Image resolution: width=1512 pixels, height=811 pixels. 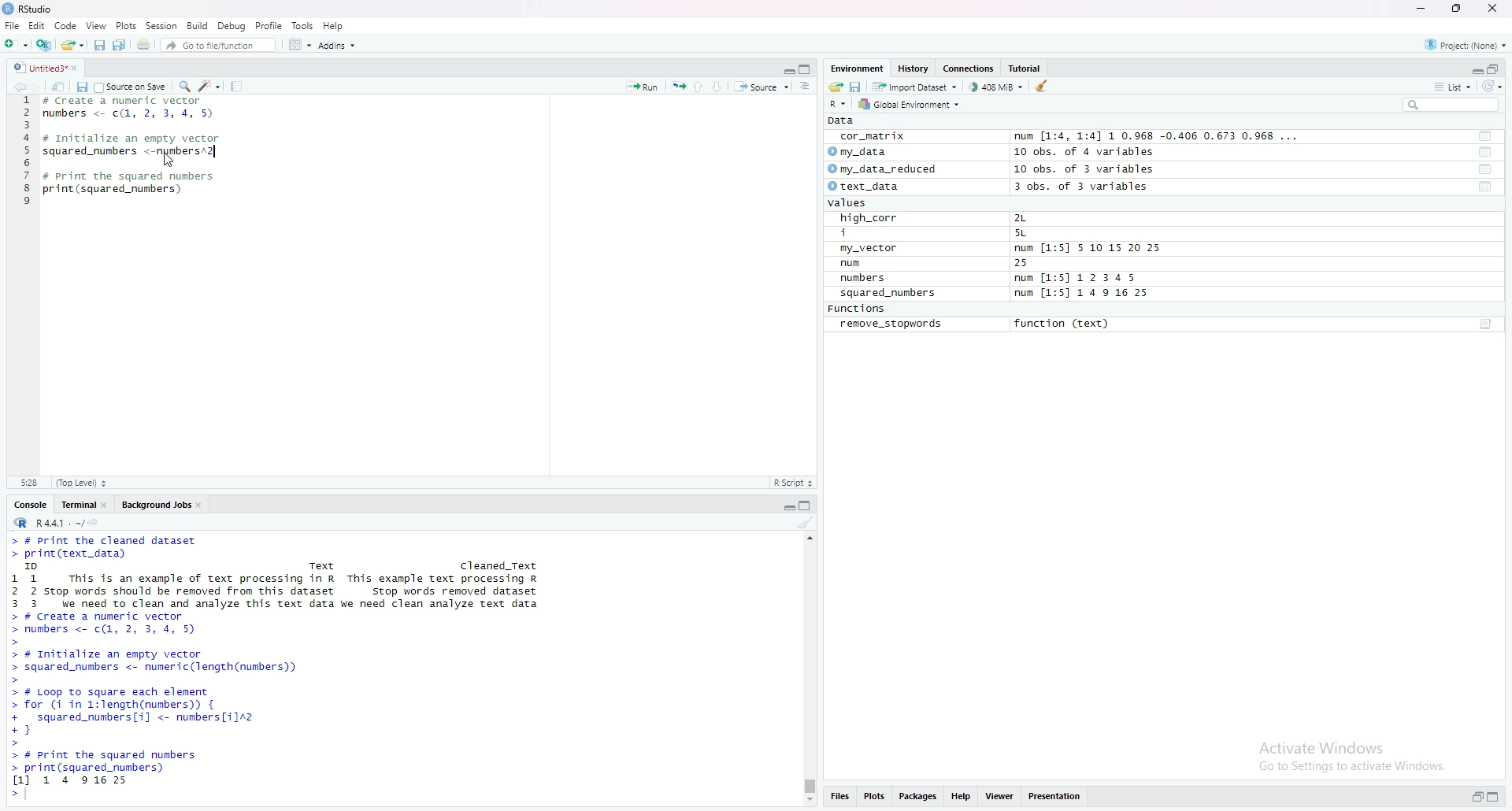 What do you see at coordinates (787, 504) in the screenshot?
I see `minimize` at bounding box center [787, 504].